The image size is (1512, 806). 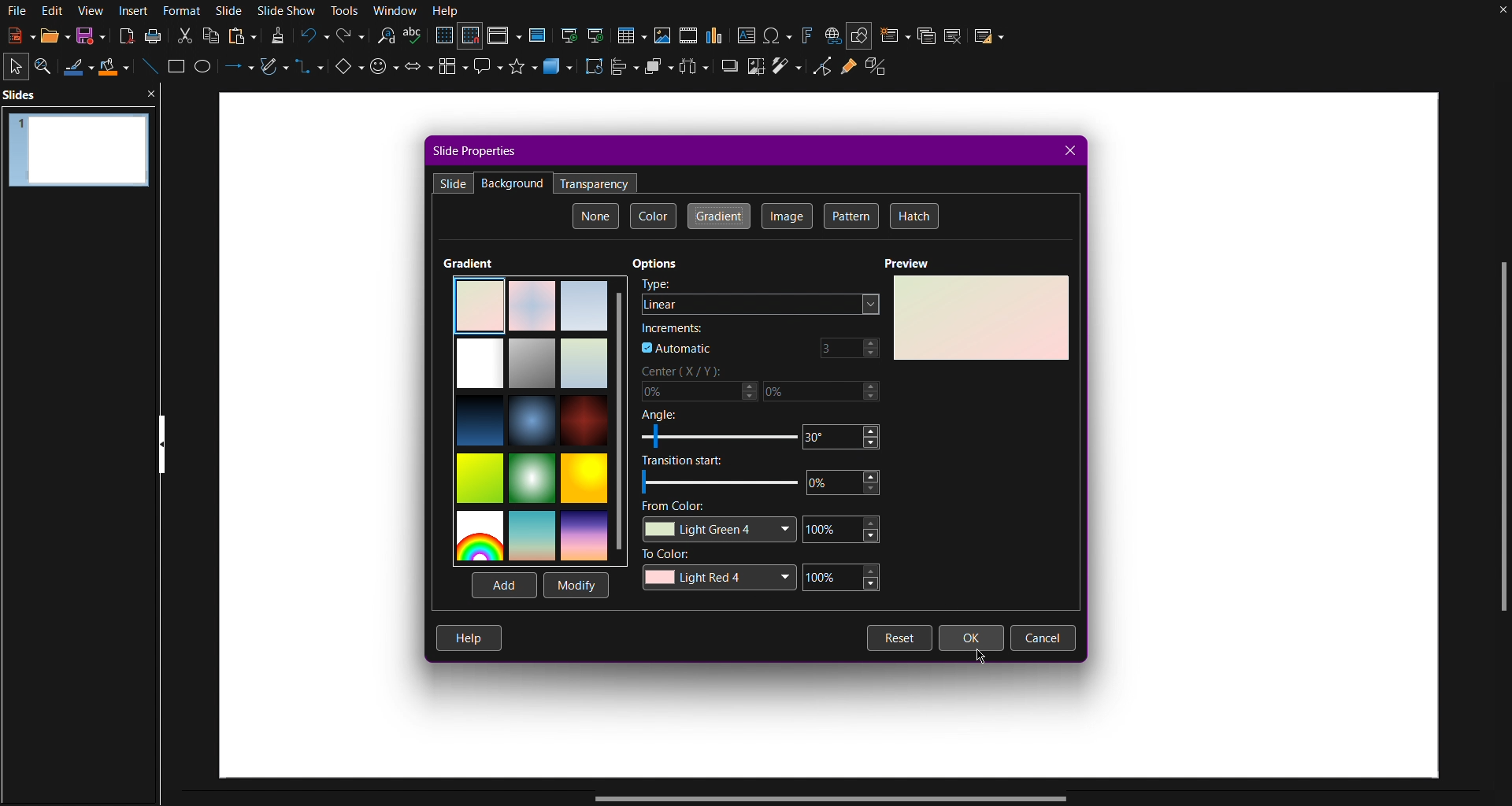 I want to click on Transition start, so click(x=765, y=477).